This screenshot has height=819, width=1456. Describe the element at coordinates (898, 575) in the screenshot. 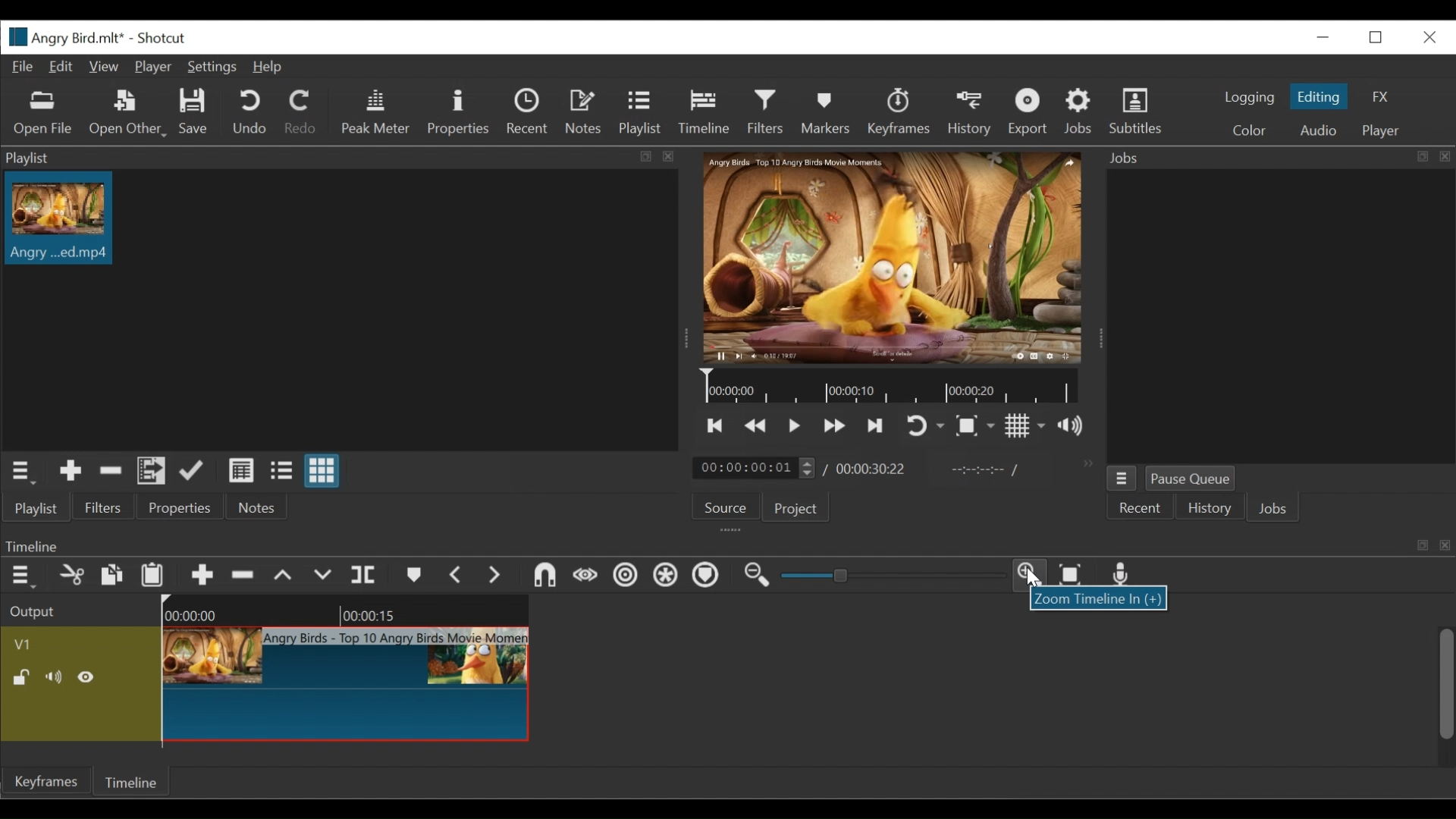

I see `Zoom slider` at that location.